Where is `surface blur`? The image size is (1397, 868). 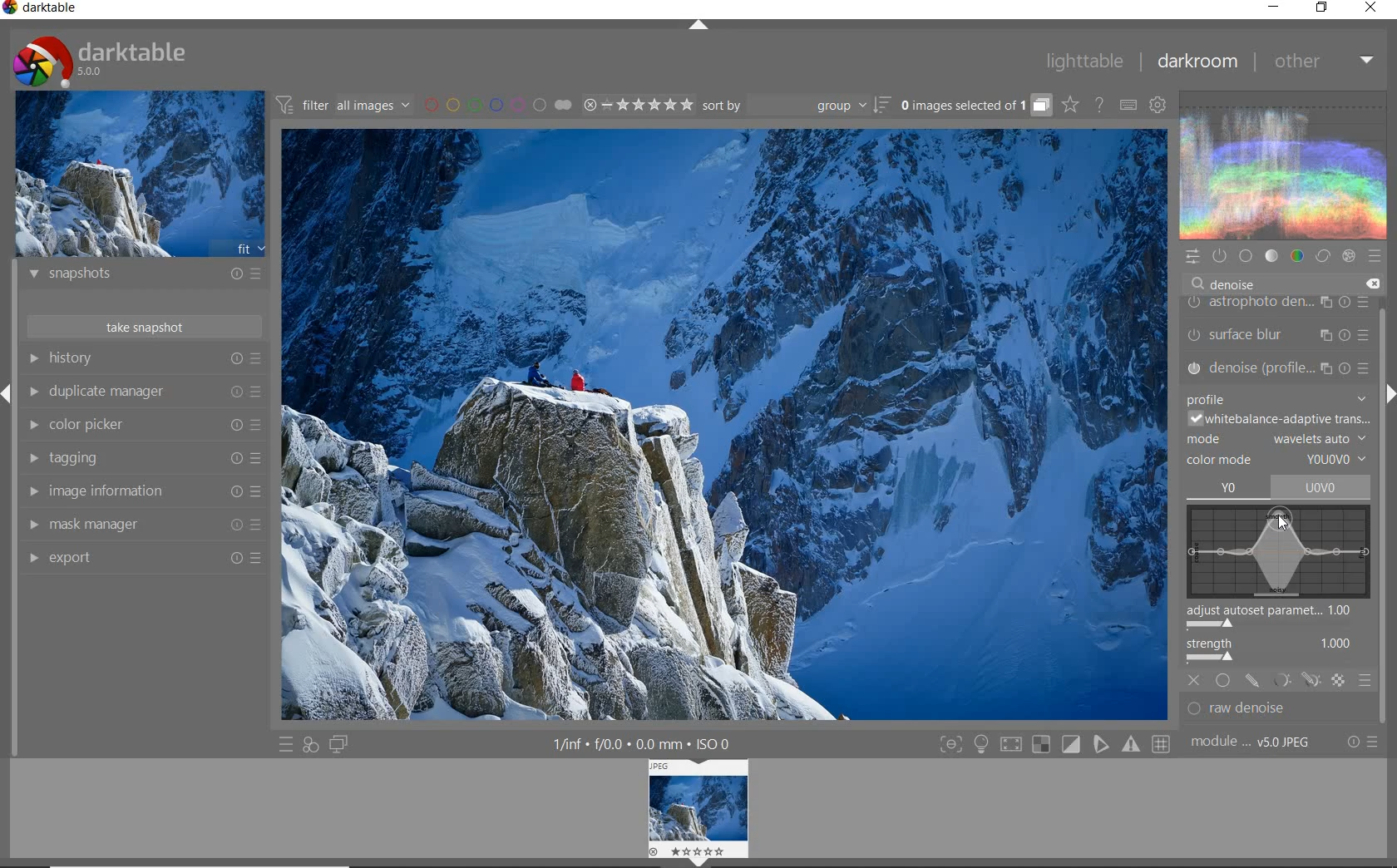 surface blur is located at coordinates (1281, 336).